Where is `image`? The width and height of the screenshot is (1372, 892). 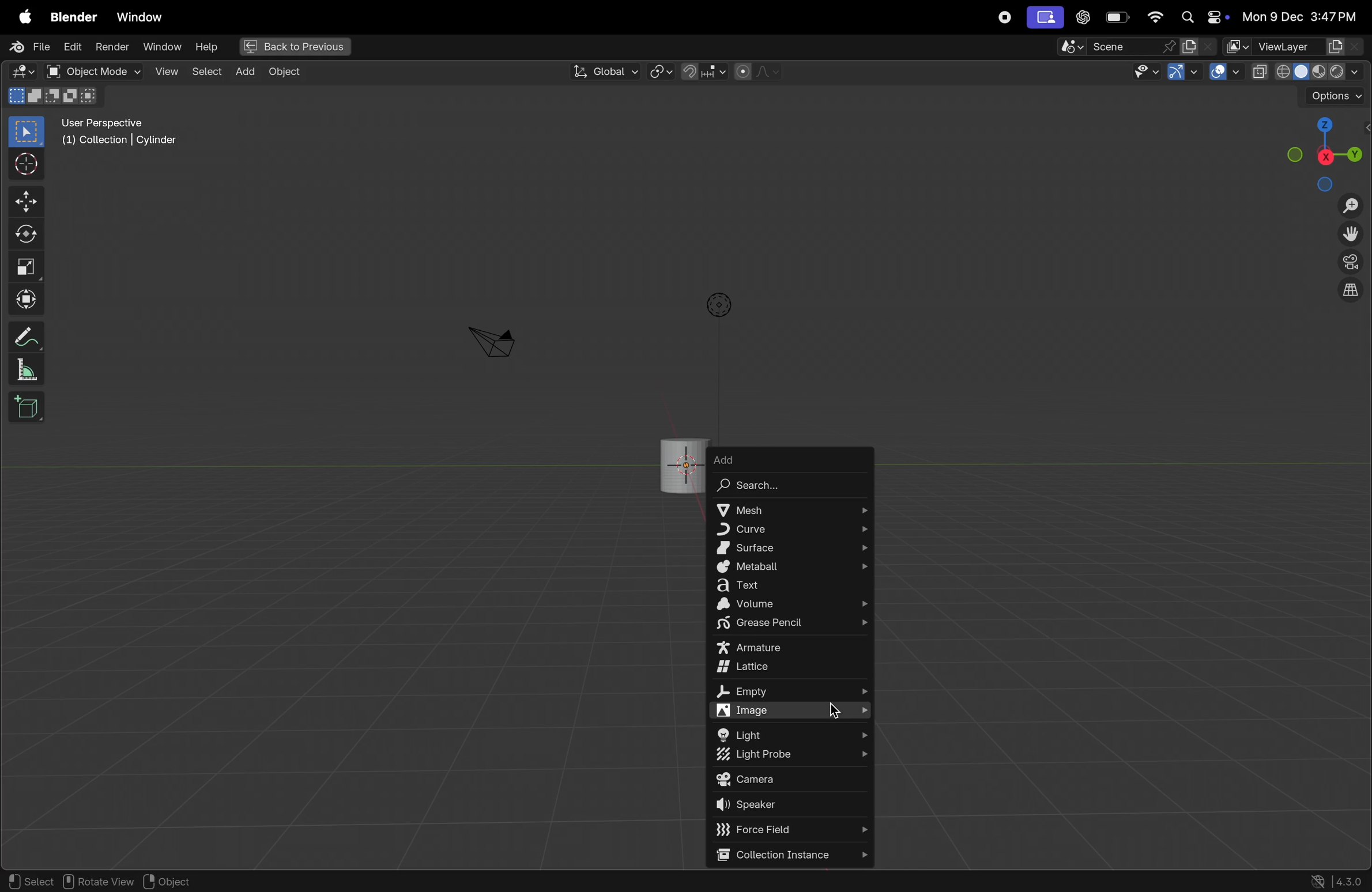 image is located at coordinates (793, 710).